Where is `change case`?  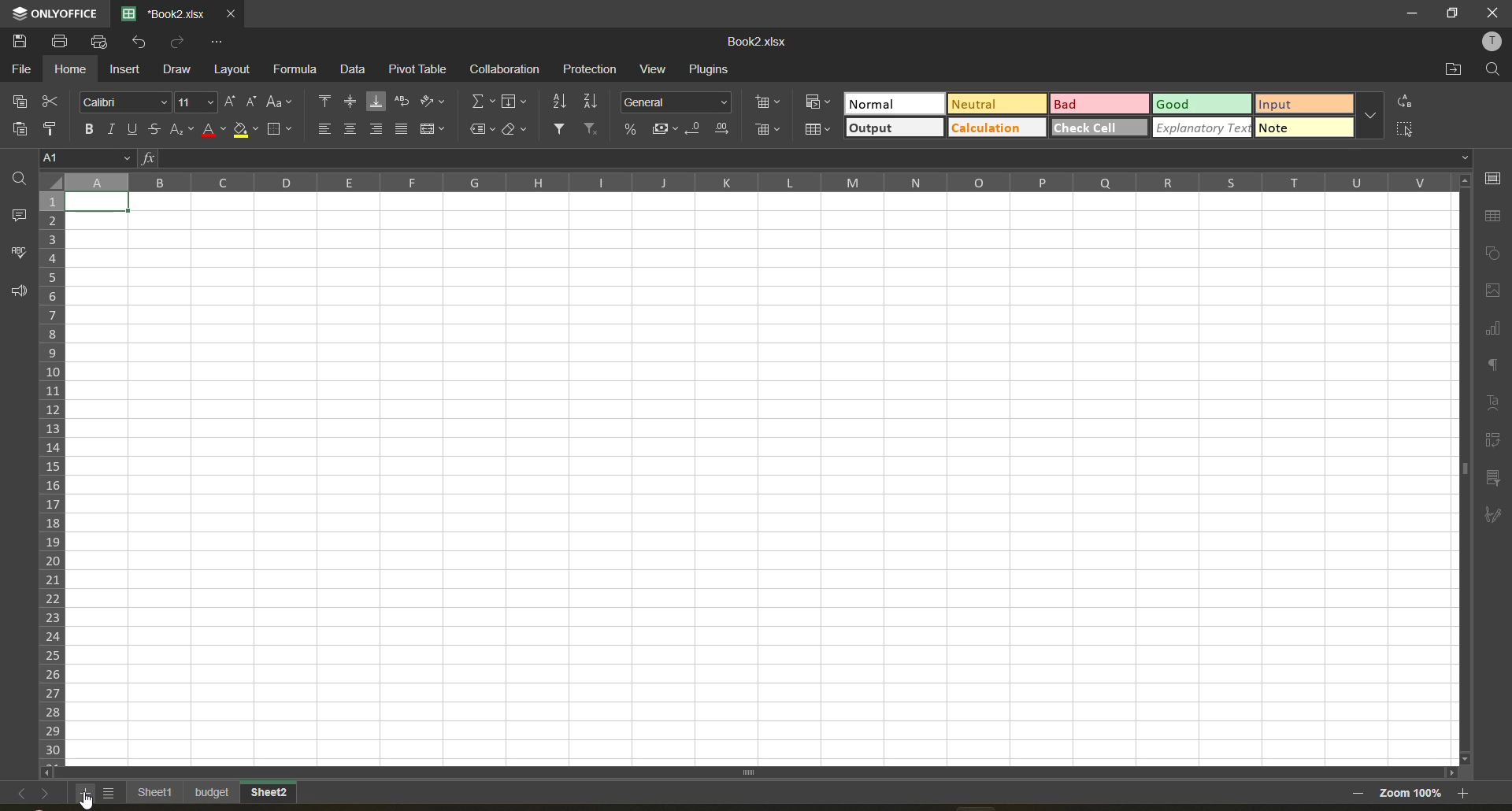
change case is located at coordinates (283, 102).